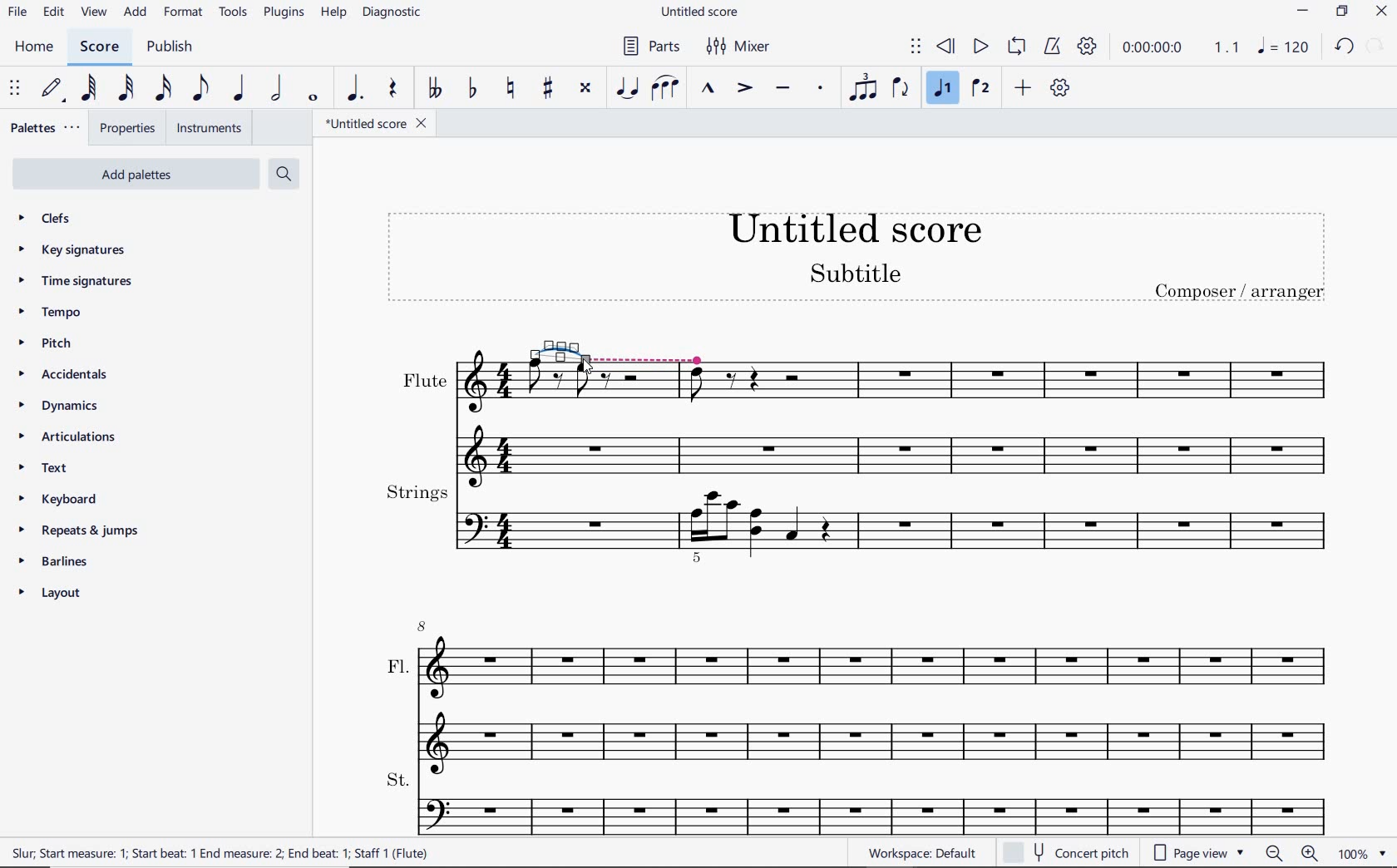 This screenshot has width=1397, height=868. I want to click on ADD, so click(1022, 89).